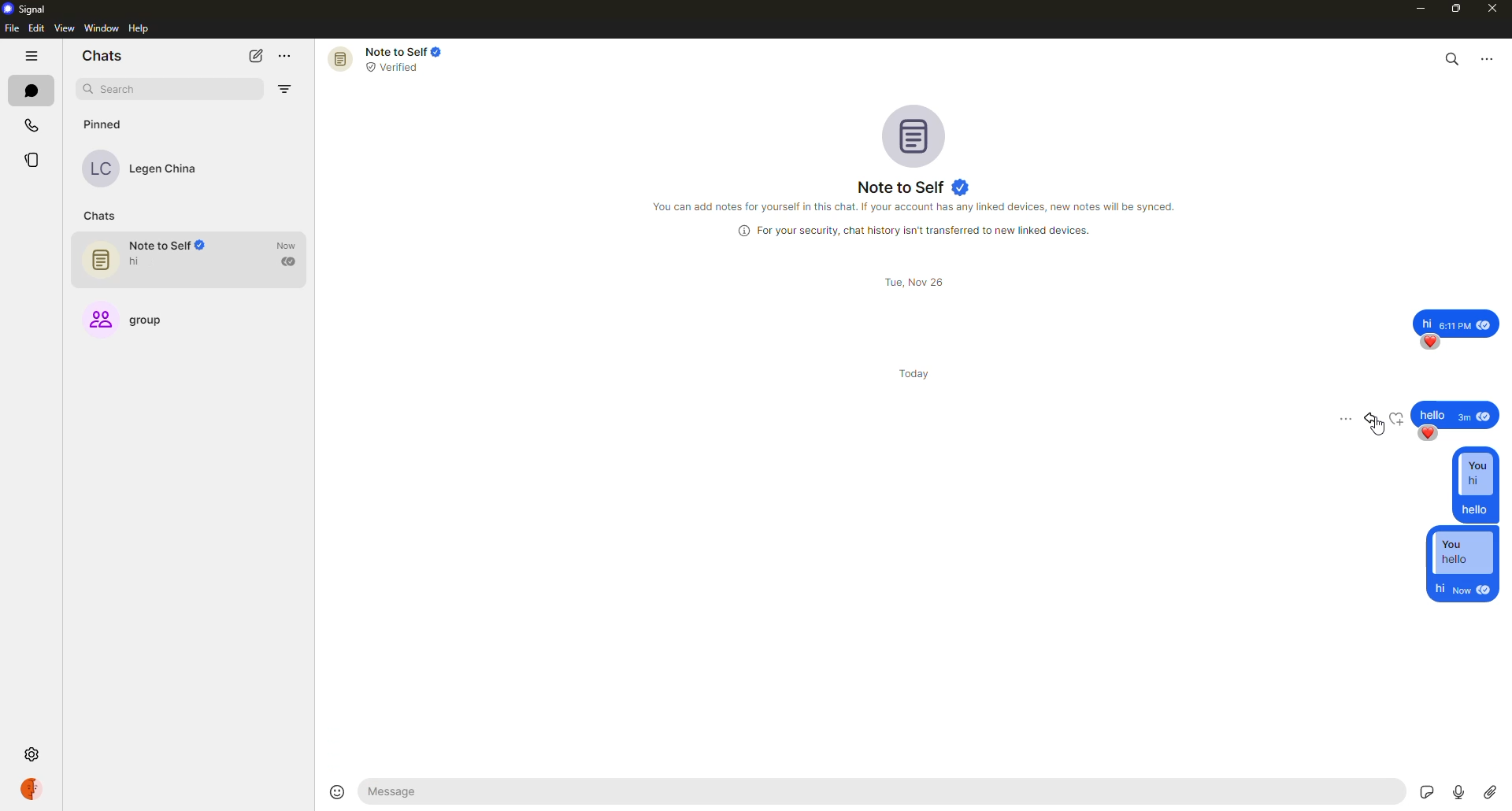 This screenshot has width=1512, height=811. Describe the element at coordinates (62, 28) in the screenshot. I see `view` at that location.